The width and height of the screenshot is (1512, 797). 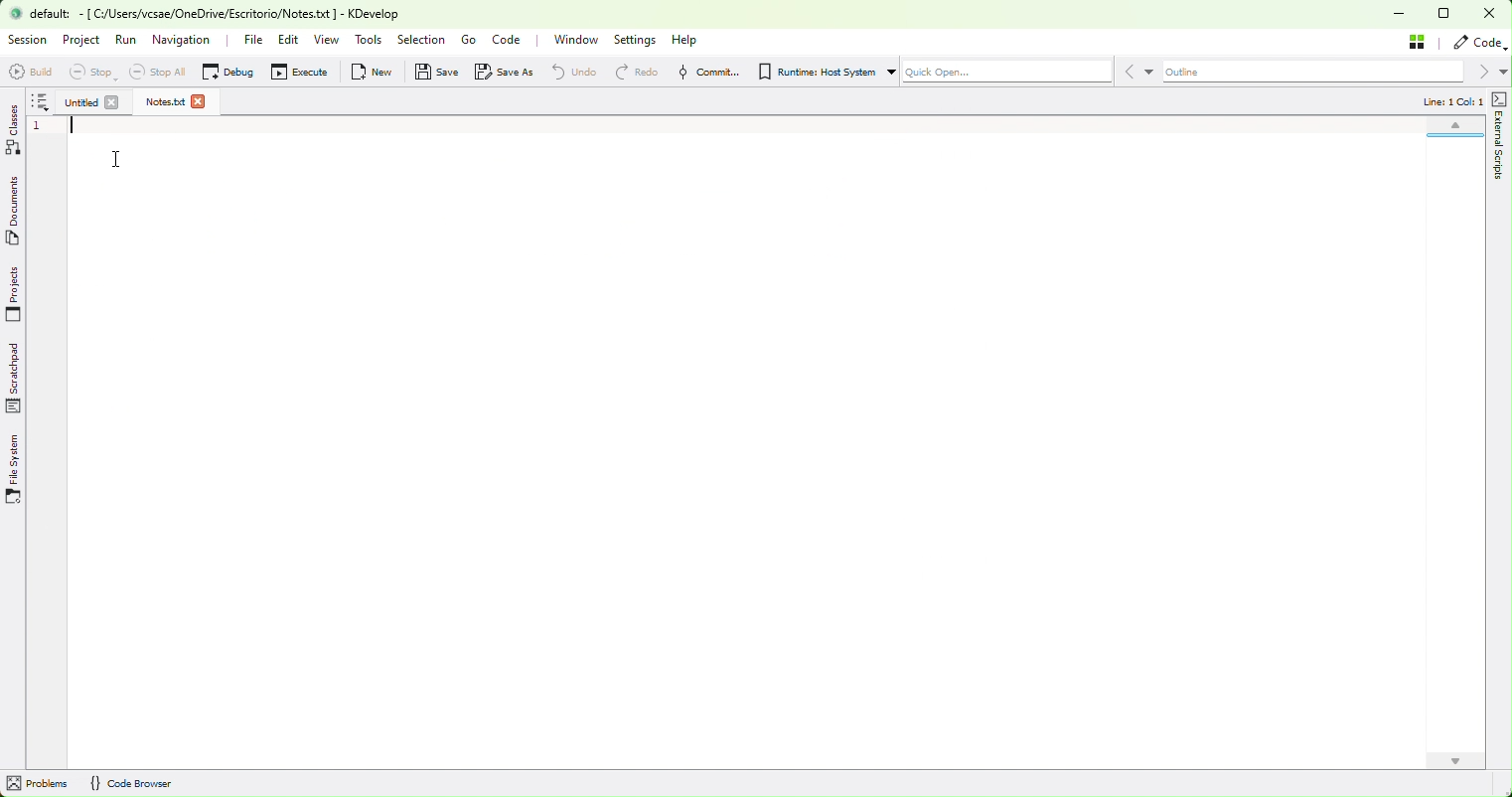 What do you see at coordinates (639, 41) in the screenshot?
I see `Settings` at bounding box center [639, 41].